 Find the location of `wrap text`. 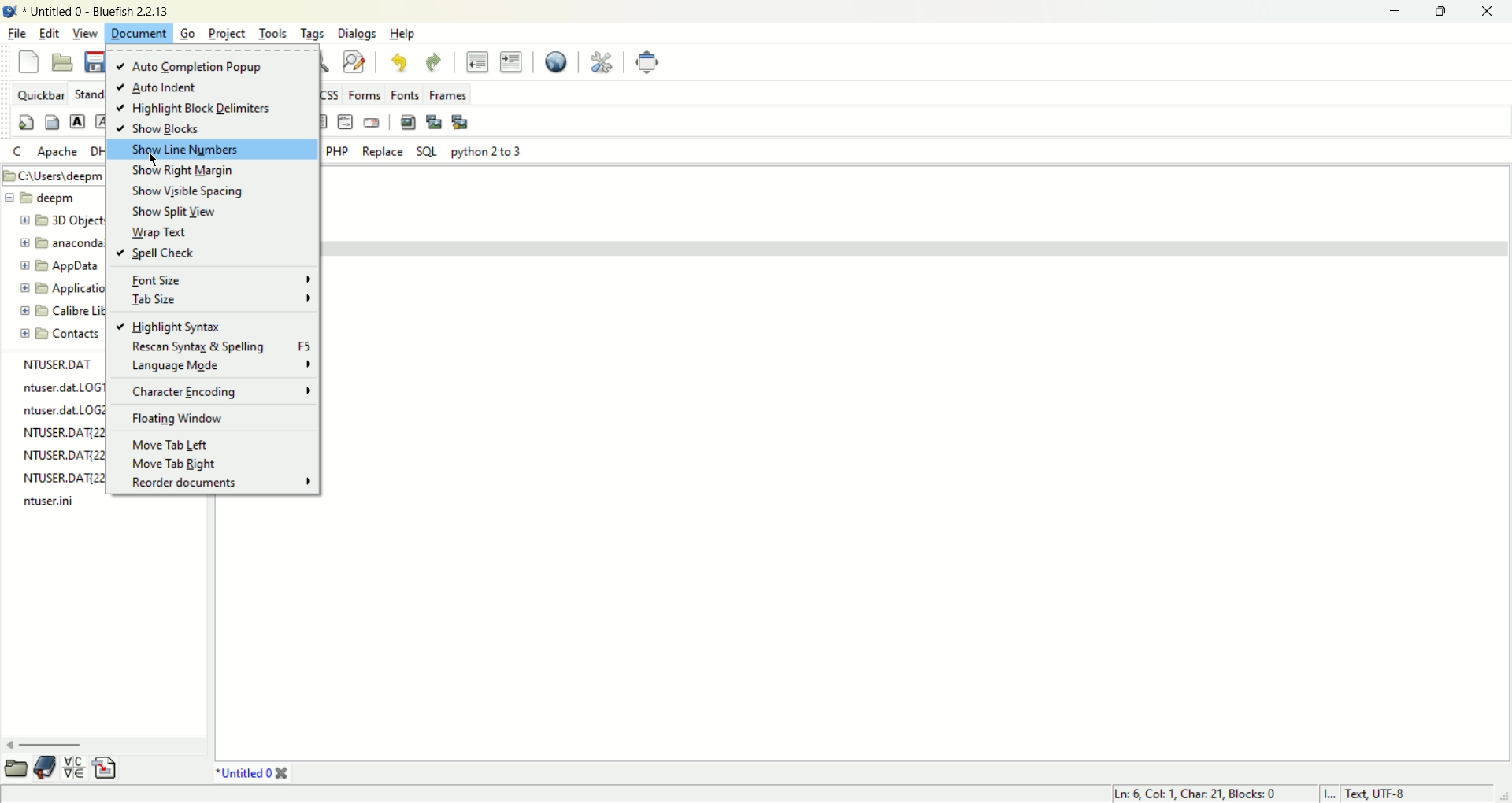

wrap text is located at coordinates (158, 232).